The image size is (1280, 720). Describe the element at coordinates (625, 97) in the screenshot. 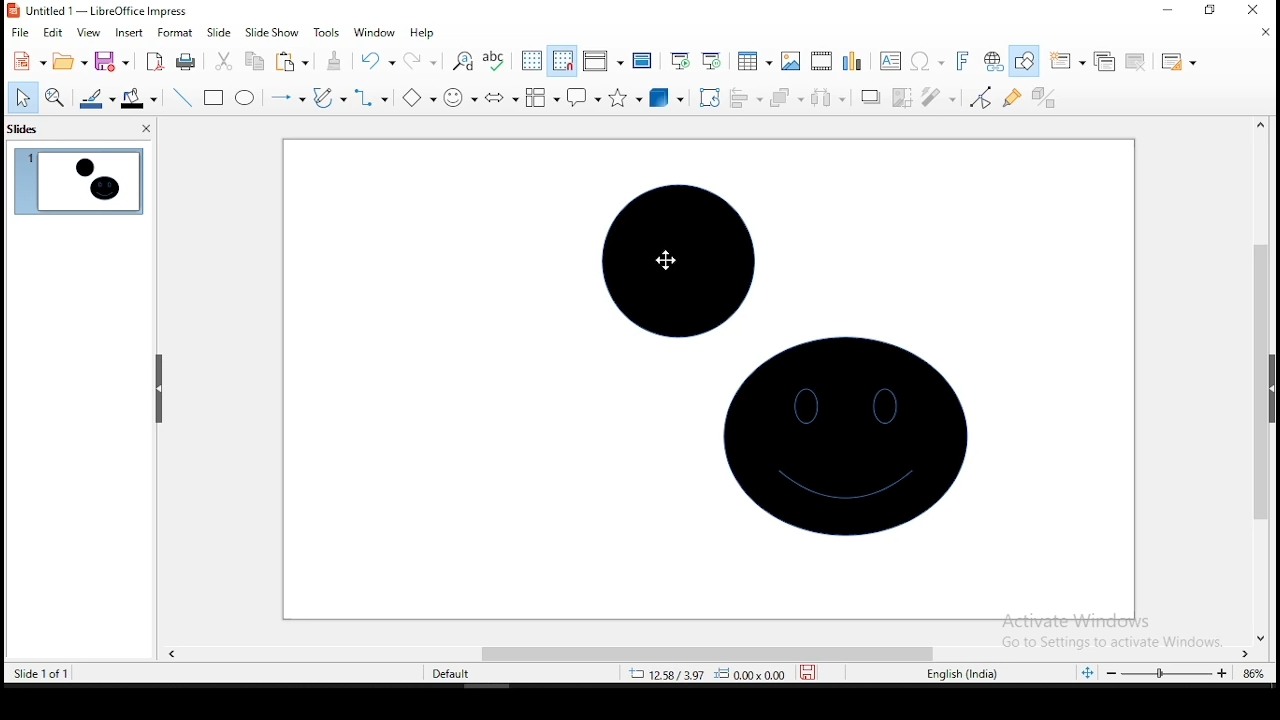

I see `stars and banners` at that location.